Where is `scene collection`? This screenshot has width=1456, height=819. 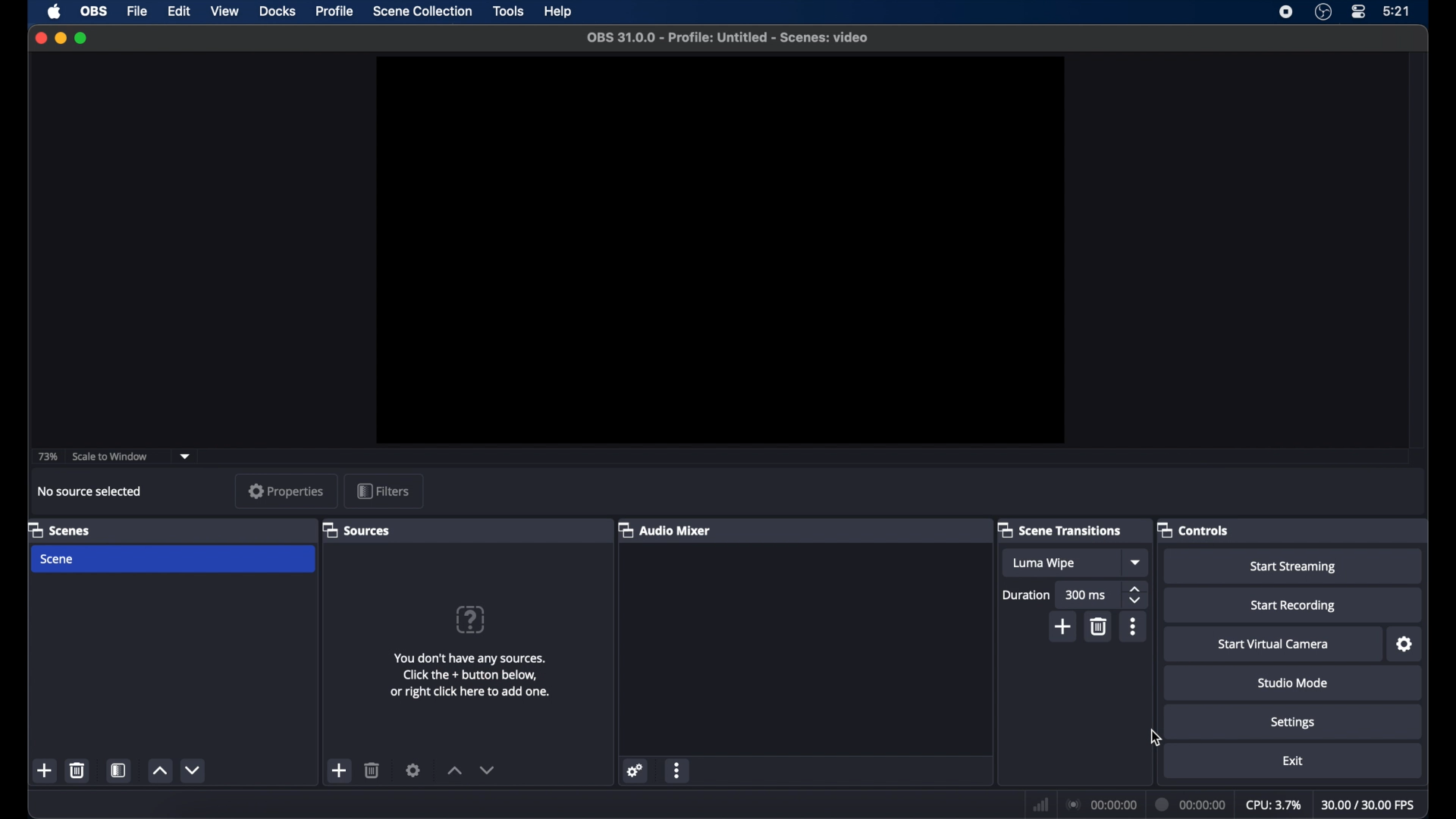
scene collection is located at coordinates (422, 12).